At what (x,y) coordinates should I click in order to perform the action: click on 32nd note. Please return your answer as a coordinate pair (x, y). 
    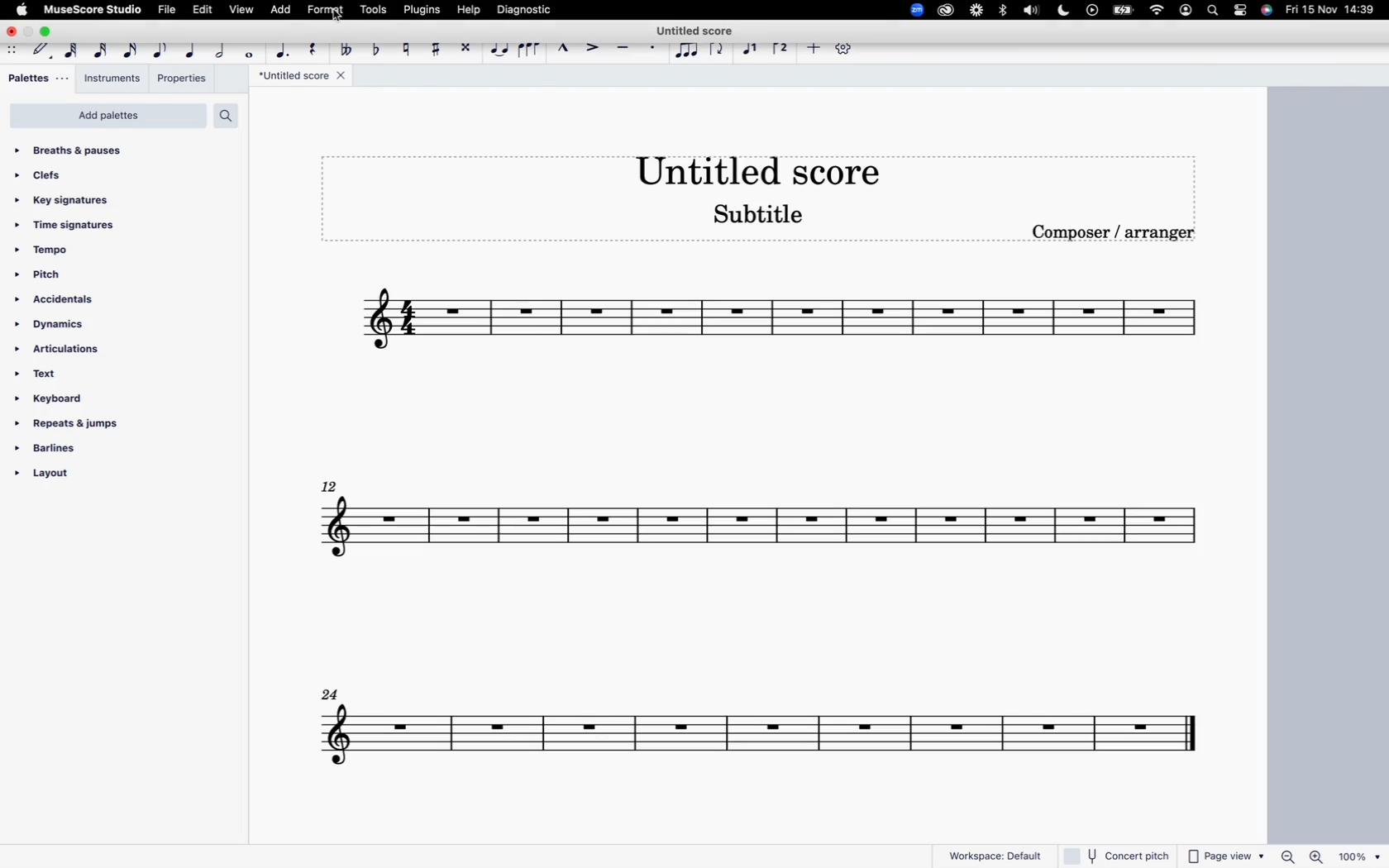
    Looking at the image, I should click on (102, 51).